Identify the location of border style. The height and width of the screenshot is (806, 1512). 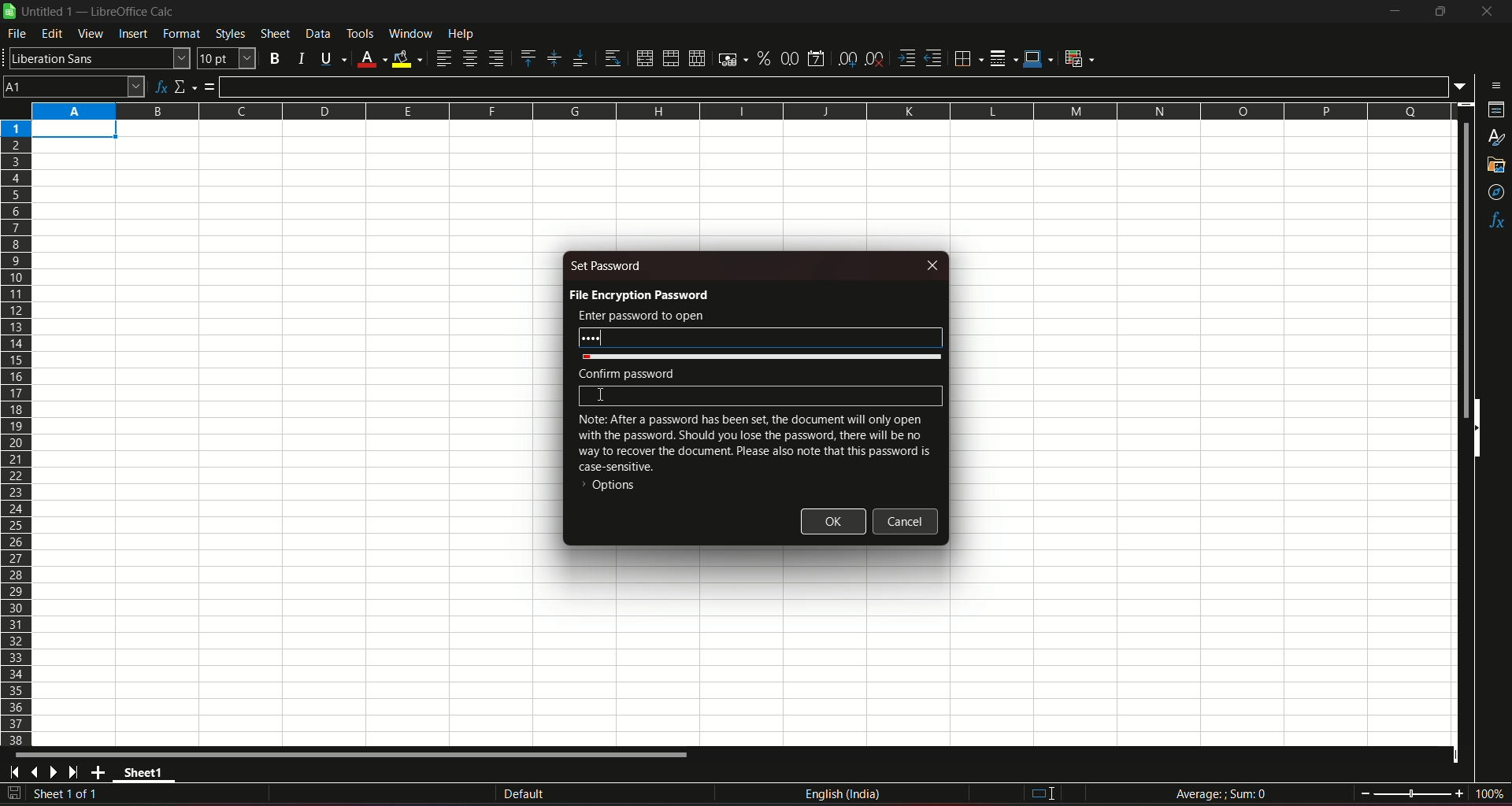
(1005, 57).